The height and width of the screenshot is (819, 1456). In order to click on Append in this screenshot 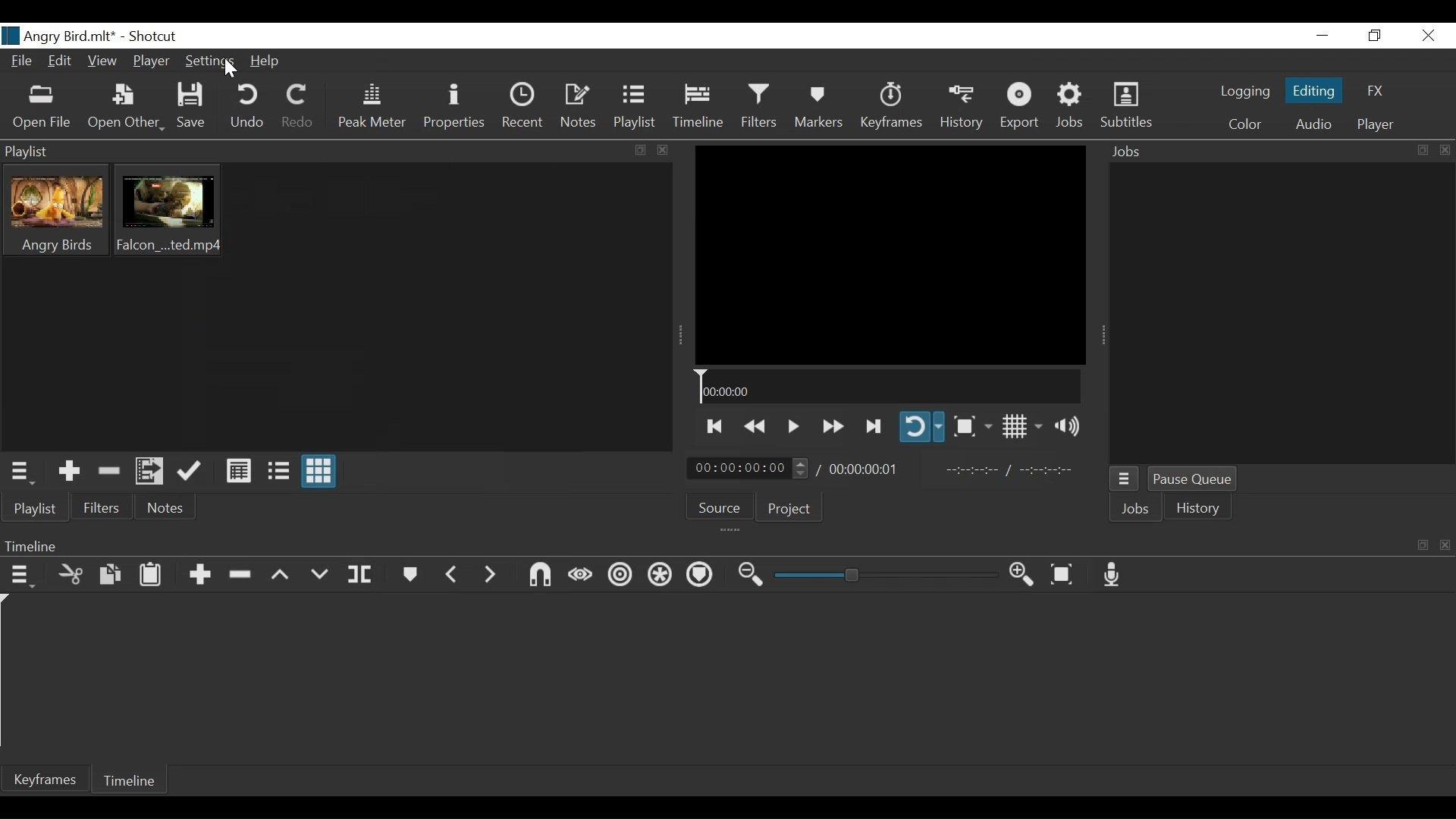, I will do `click(202, 576)`.